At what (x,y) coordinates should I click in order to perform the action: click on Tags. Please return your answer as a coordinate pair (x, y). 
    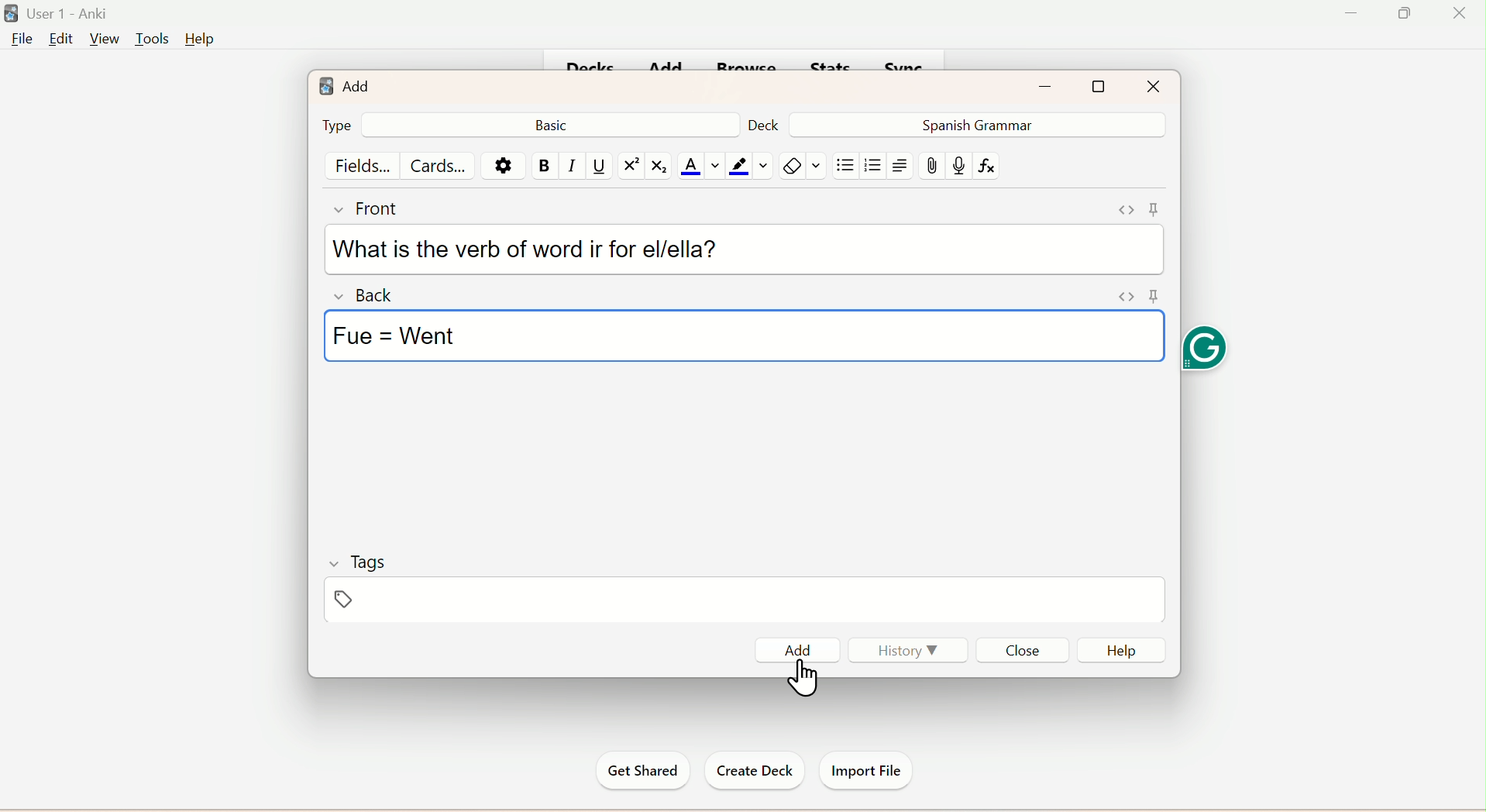
    Looking at the image, I should click on (356, 559).